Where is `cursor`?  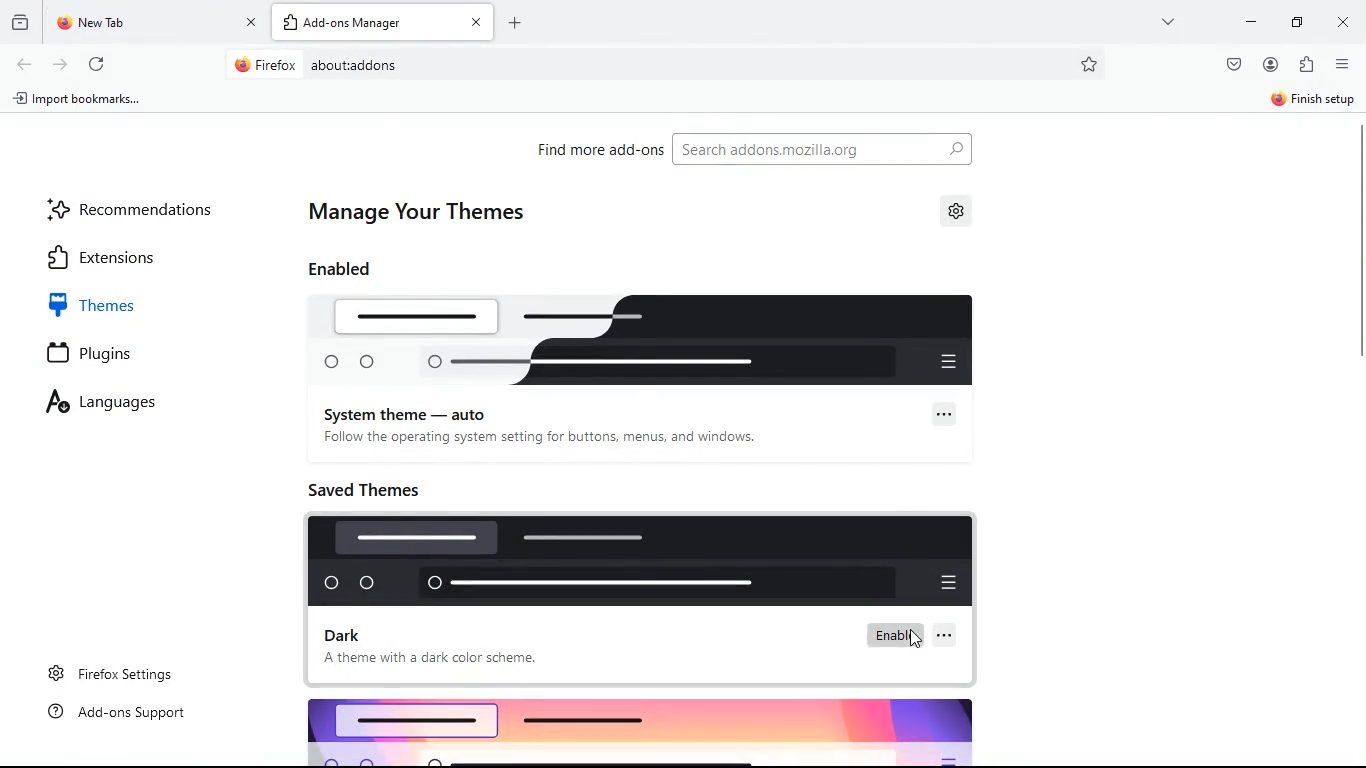
cursor is located at coordinates (915, 639).